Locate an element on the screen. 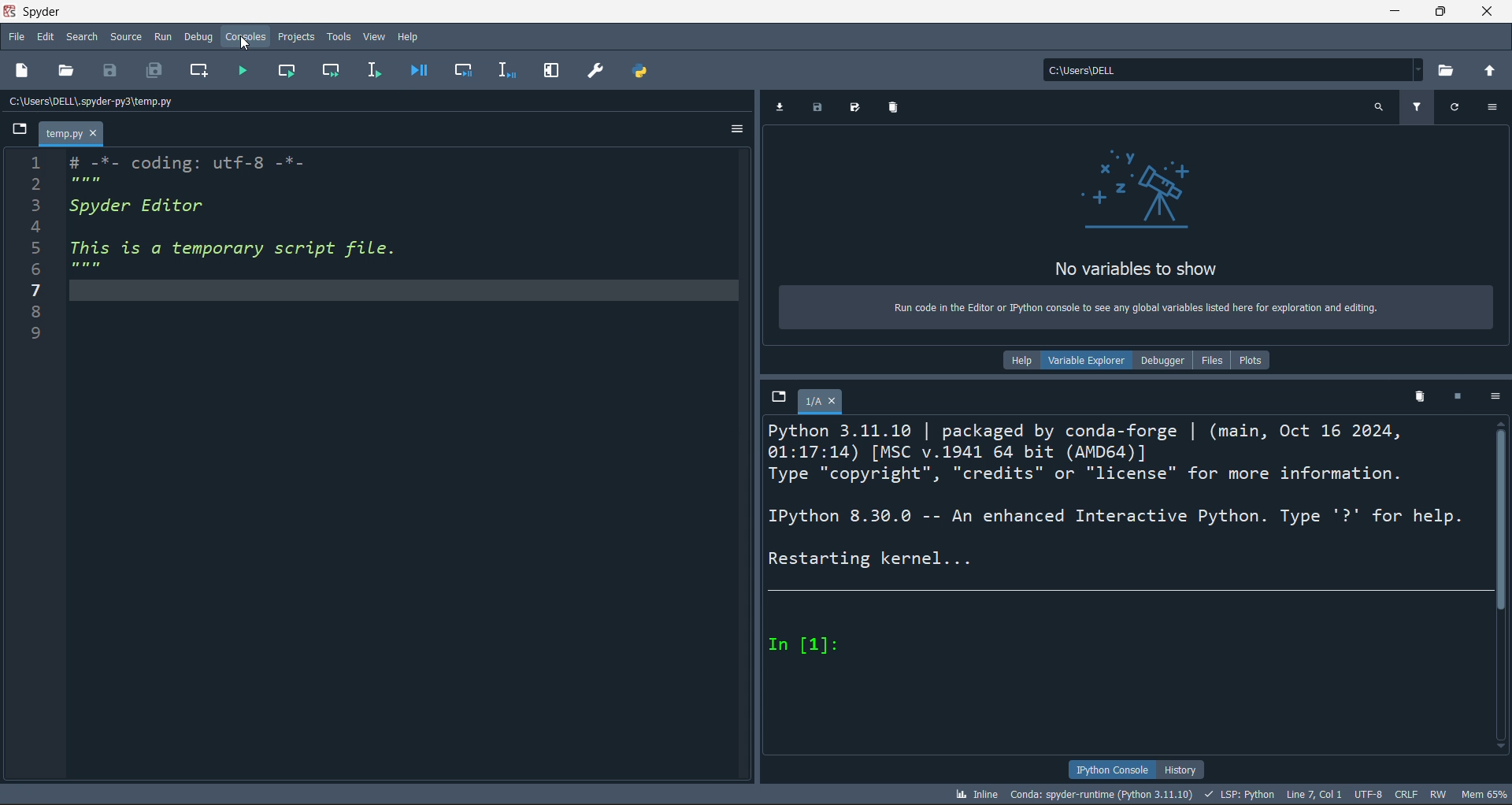 Image resolution: width=1512 pixels, height=805 pixels. consoles is located at coordinates (244, 37).